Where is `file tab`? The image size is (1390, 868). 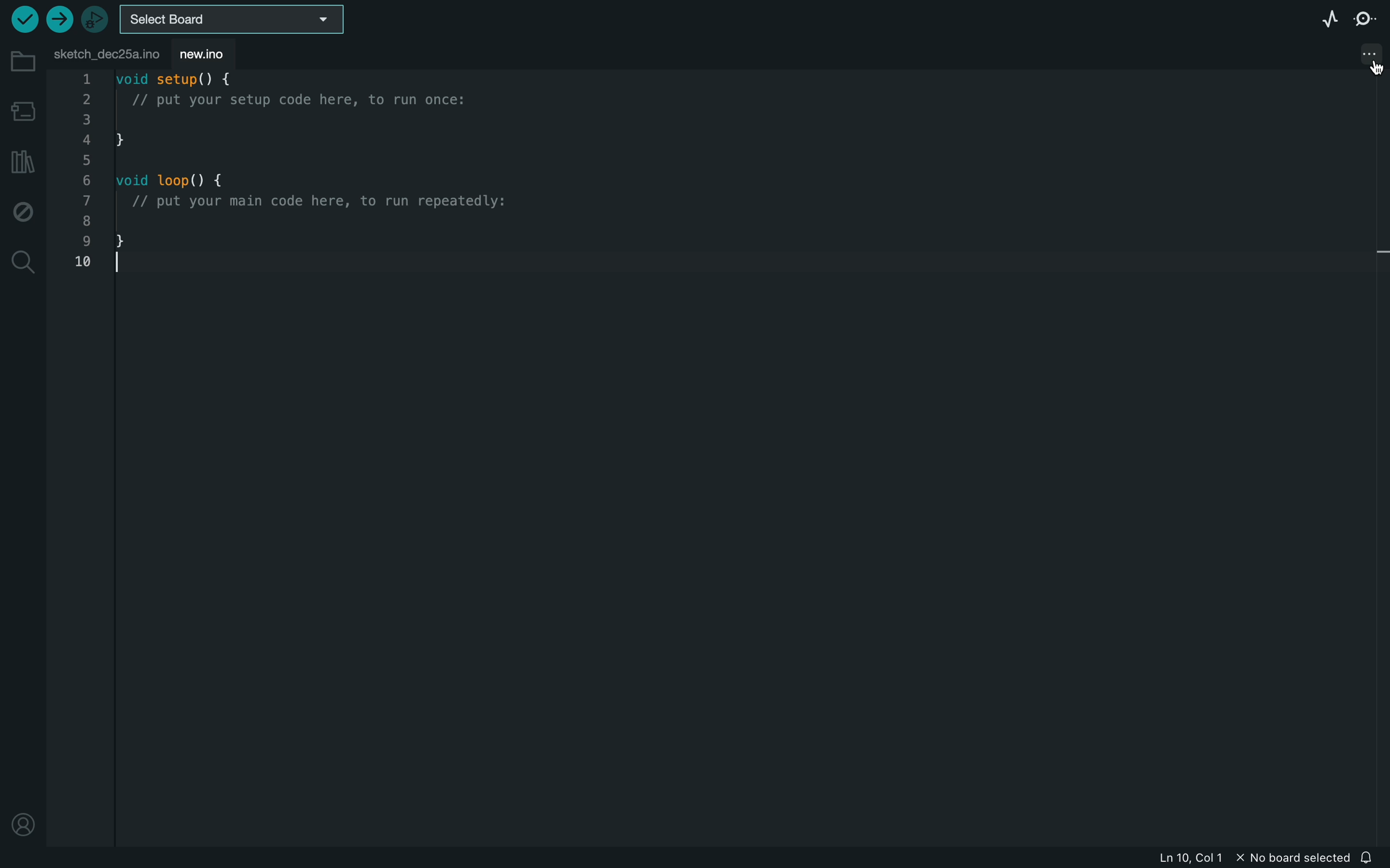
file tab is located at coordinates (106, 52).